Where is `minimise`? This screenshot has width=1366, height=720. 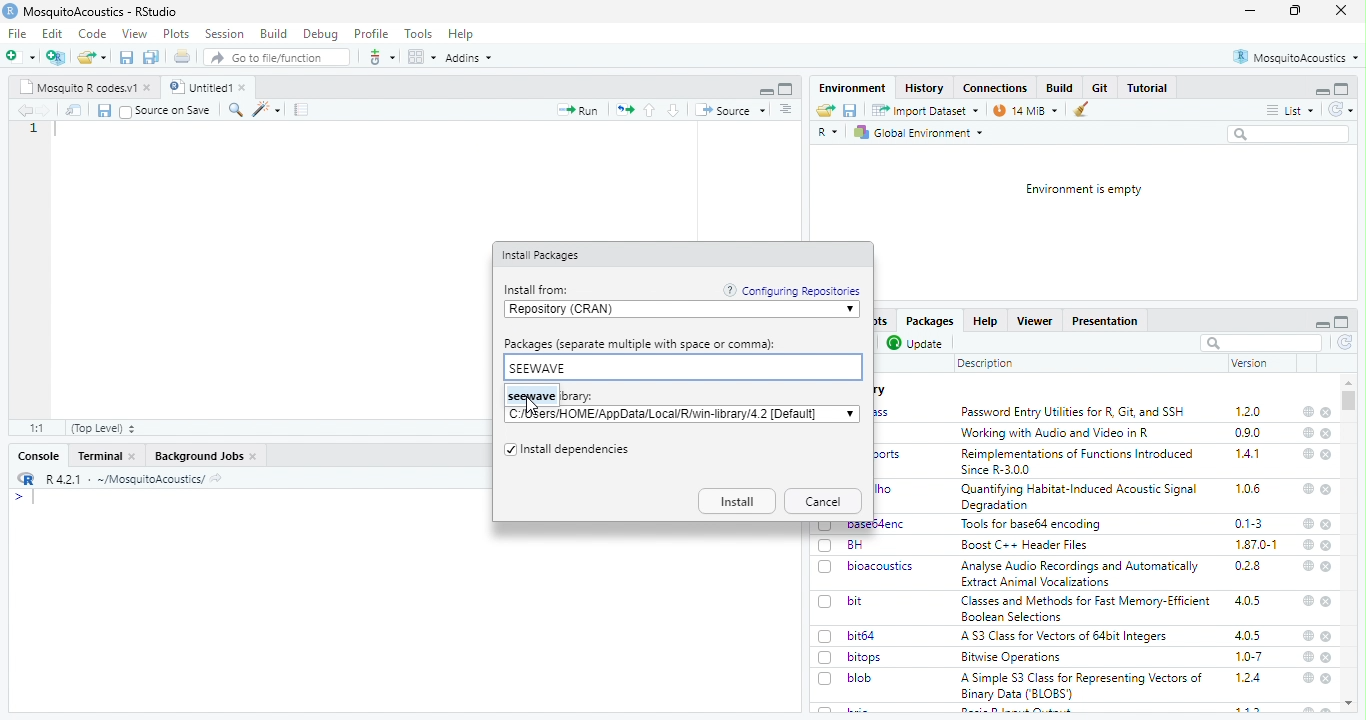 minimise is located at coordinates (1324, 325).